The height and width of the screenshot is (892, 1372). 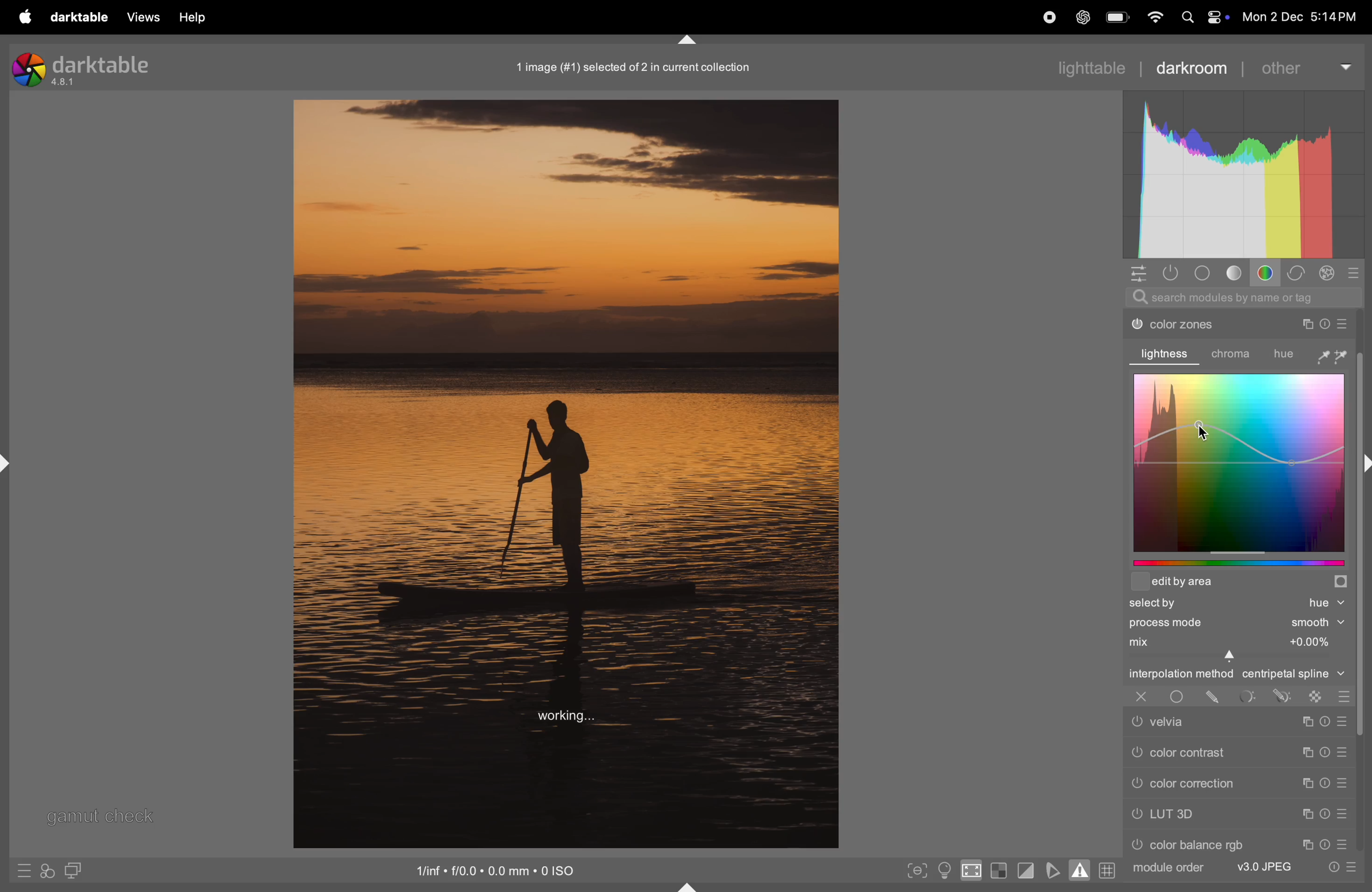 What do you see at coordinates (1234, 641) in the screenshot?
I see `mix` at bounding box center [1234, 641].